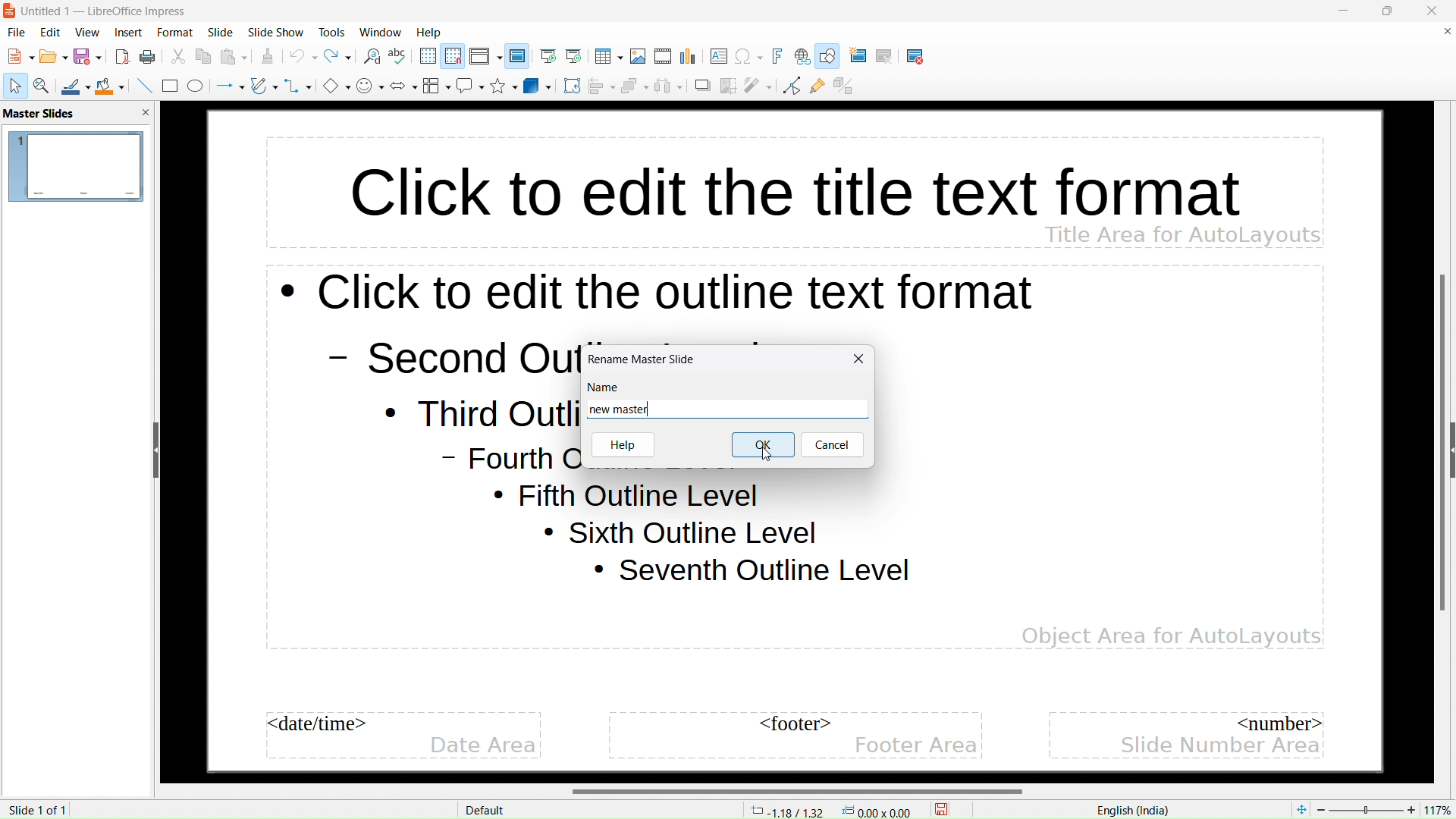 The image size is (1456, 819). I want to click on slide show, so click(276, 32).